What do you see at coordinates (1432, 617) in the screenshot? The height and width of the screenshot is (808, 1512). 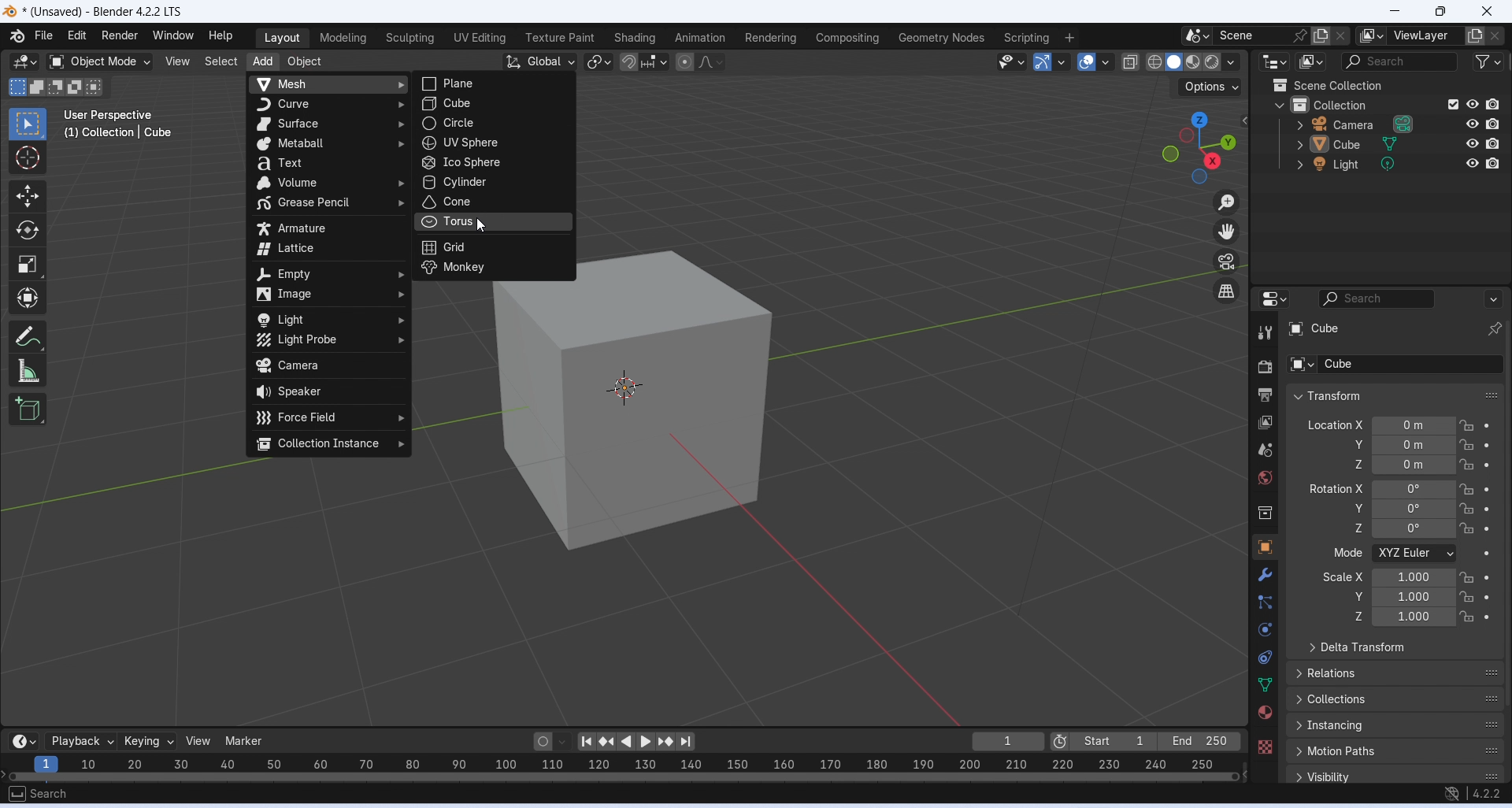 I see `Z scale` at bounding box center [1432, 617].